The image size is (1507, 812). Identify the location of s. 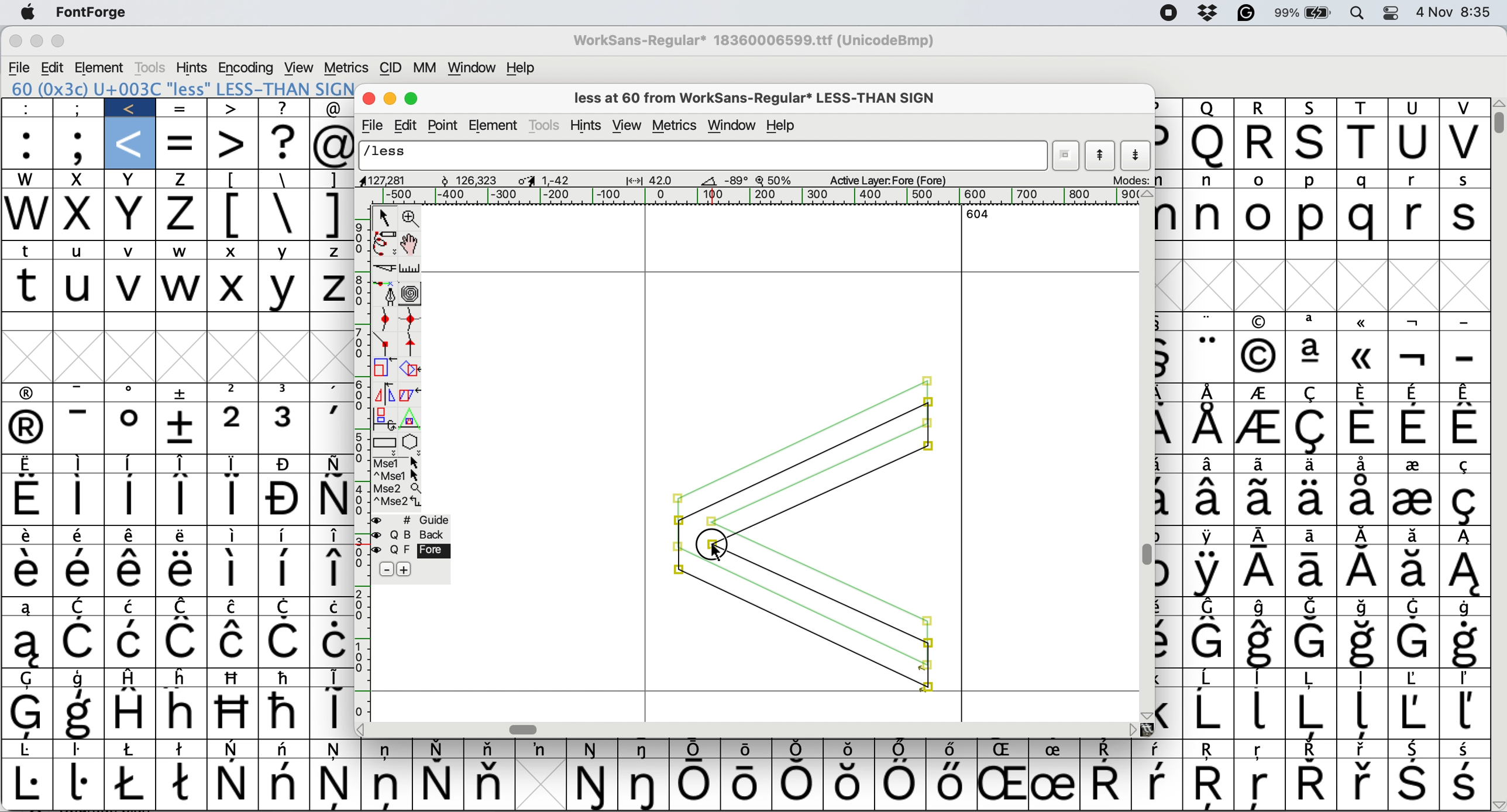
(1312, 144).